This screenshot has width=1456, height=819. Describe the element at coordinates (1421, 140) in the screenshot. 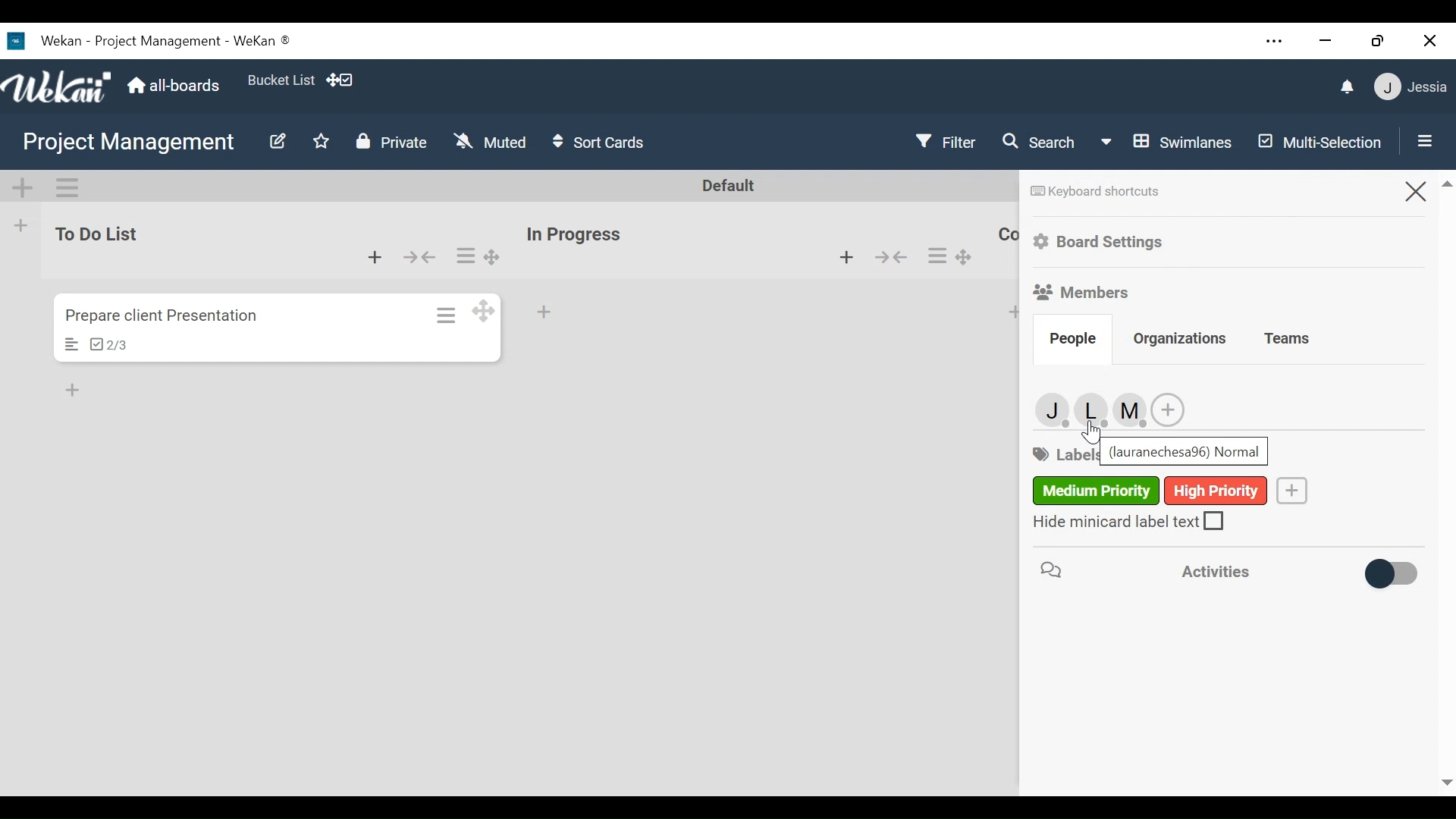

I see `Sidebar` at that location.